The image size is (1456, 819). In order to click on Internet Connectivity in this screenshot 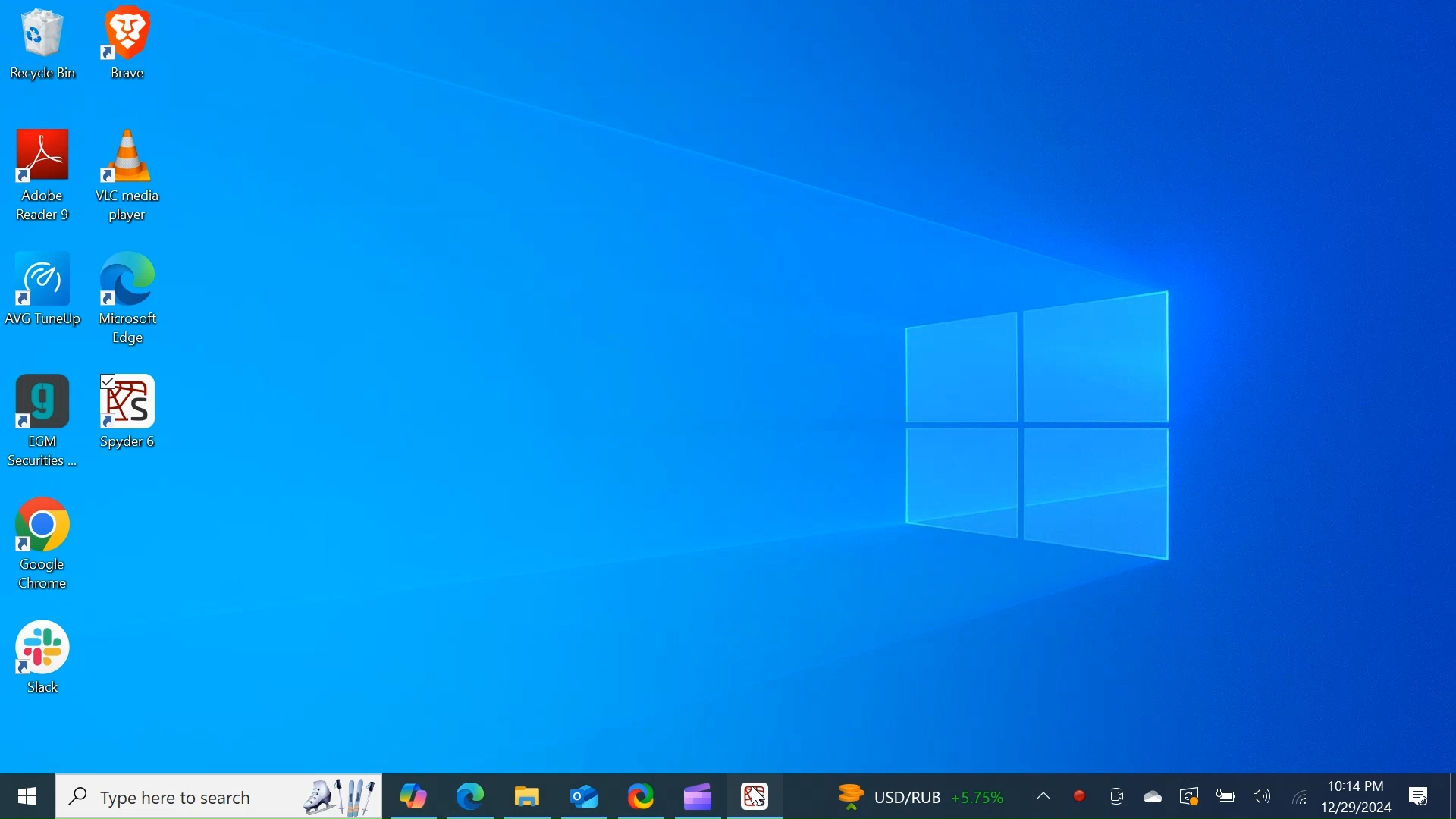, I will do `click(1298, 794)`.